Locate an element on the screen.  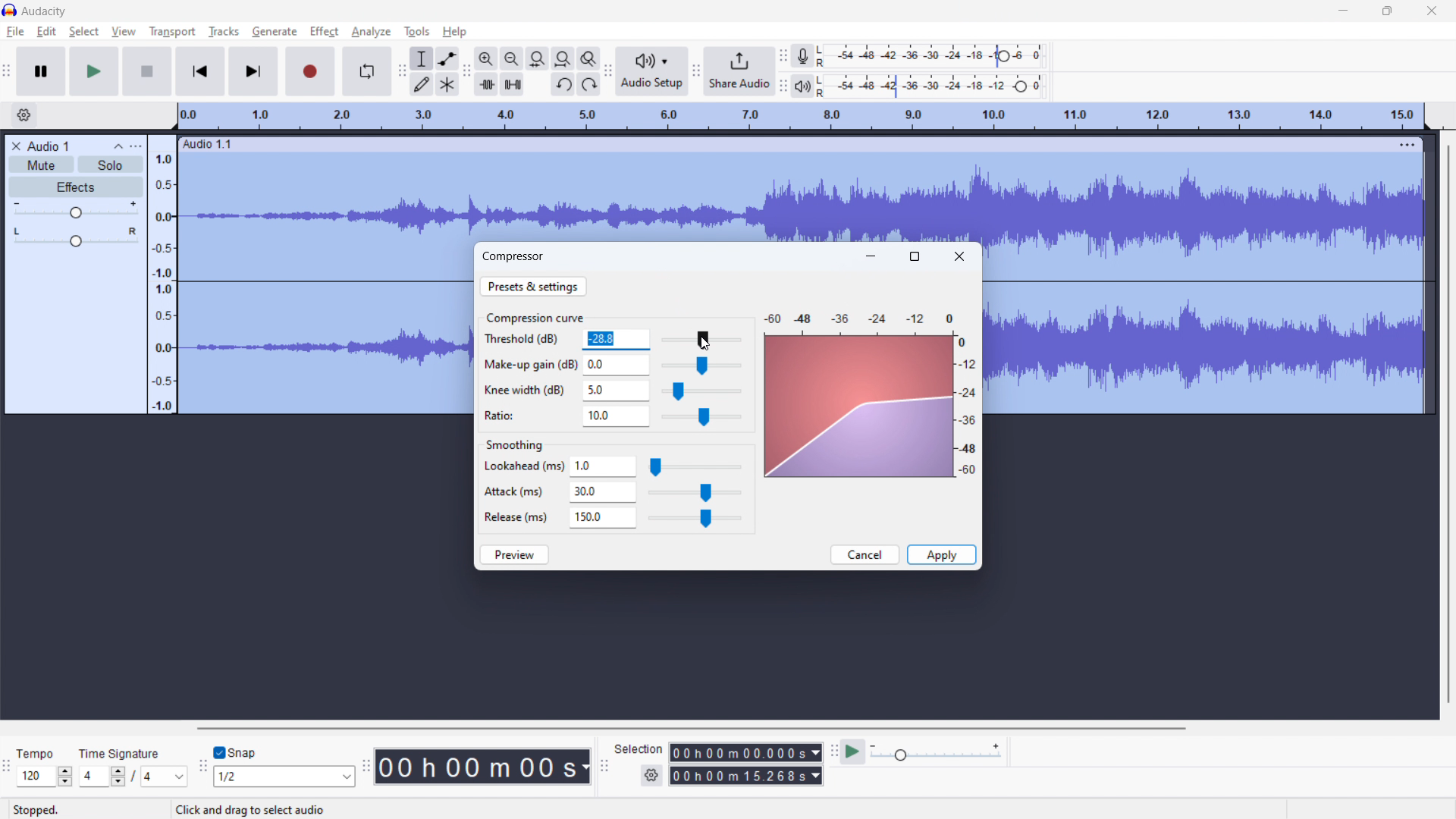
1/2 (select snap) is located at coordinates (285, 776).